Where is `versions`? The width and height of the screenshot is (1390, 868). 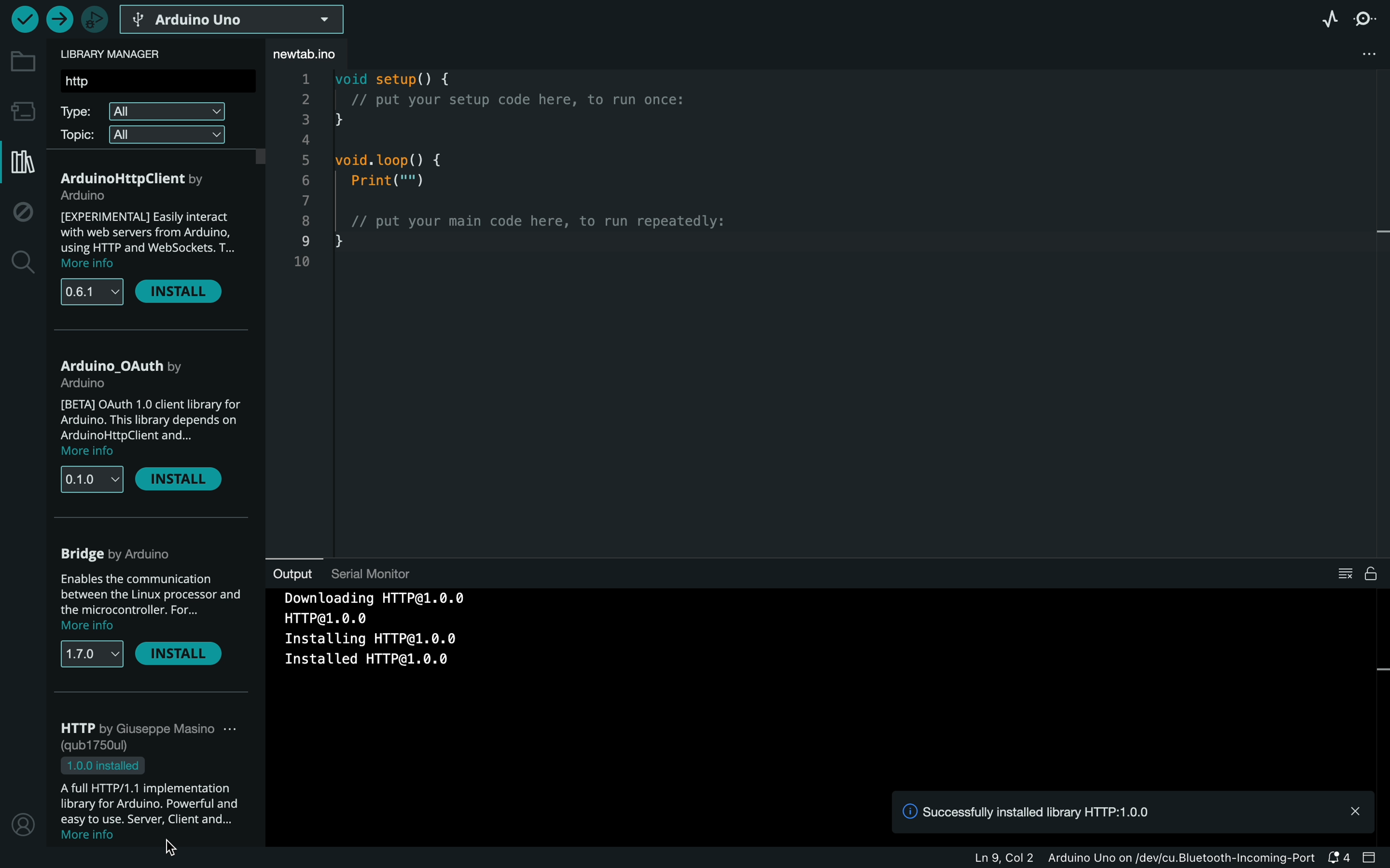
versions is located at coordinates (93, 657).